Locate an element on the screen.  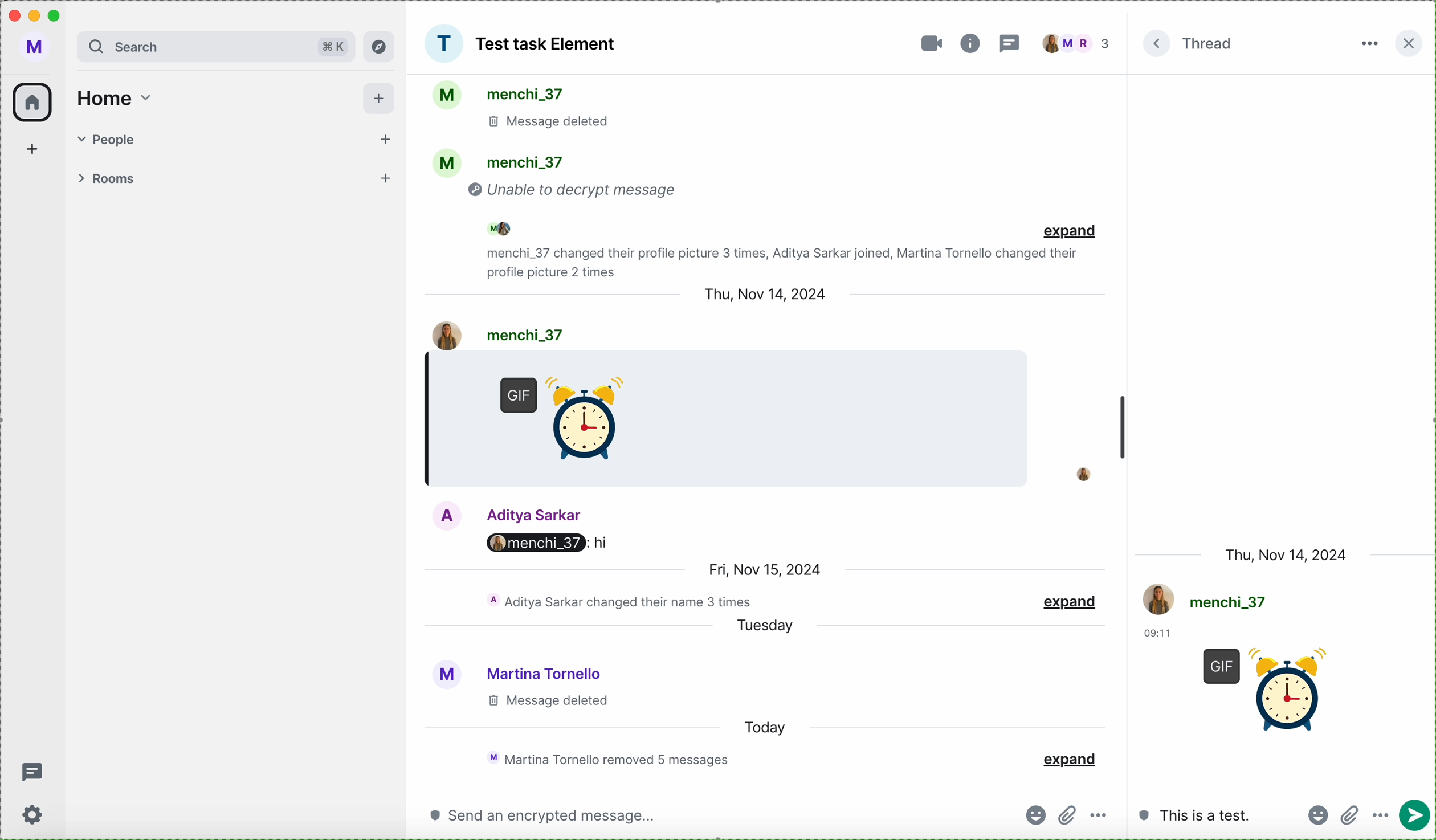
Aditya's message is located at coordinates (549, 545).